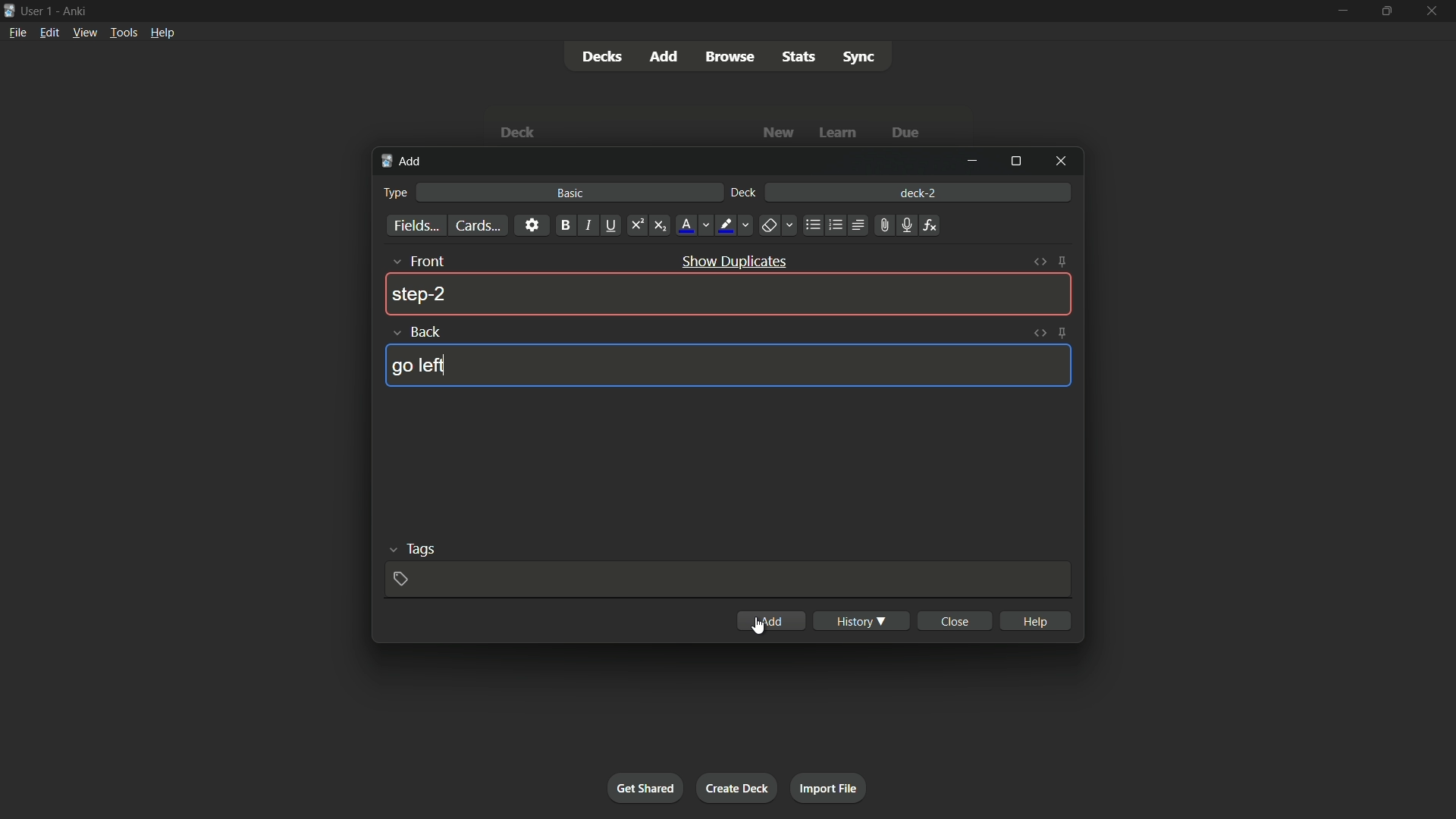  I want to click on deck-2, so click(918, 191).